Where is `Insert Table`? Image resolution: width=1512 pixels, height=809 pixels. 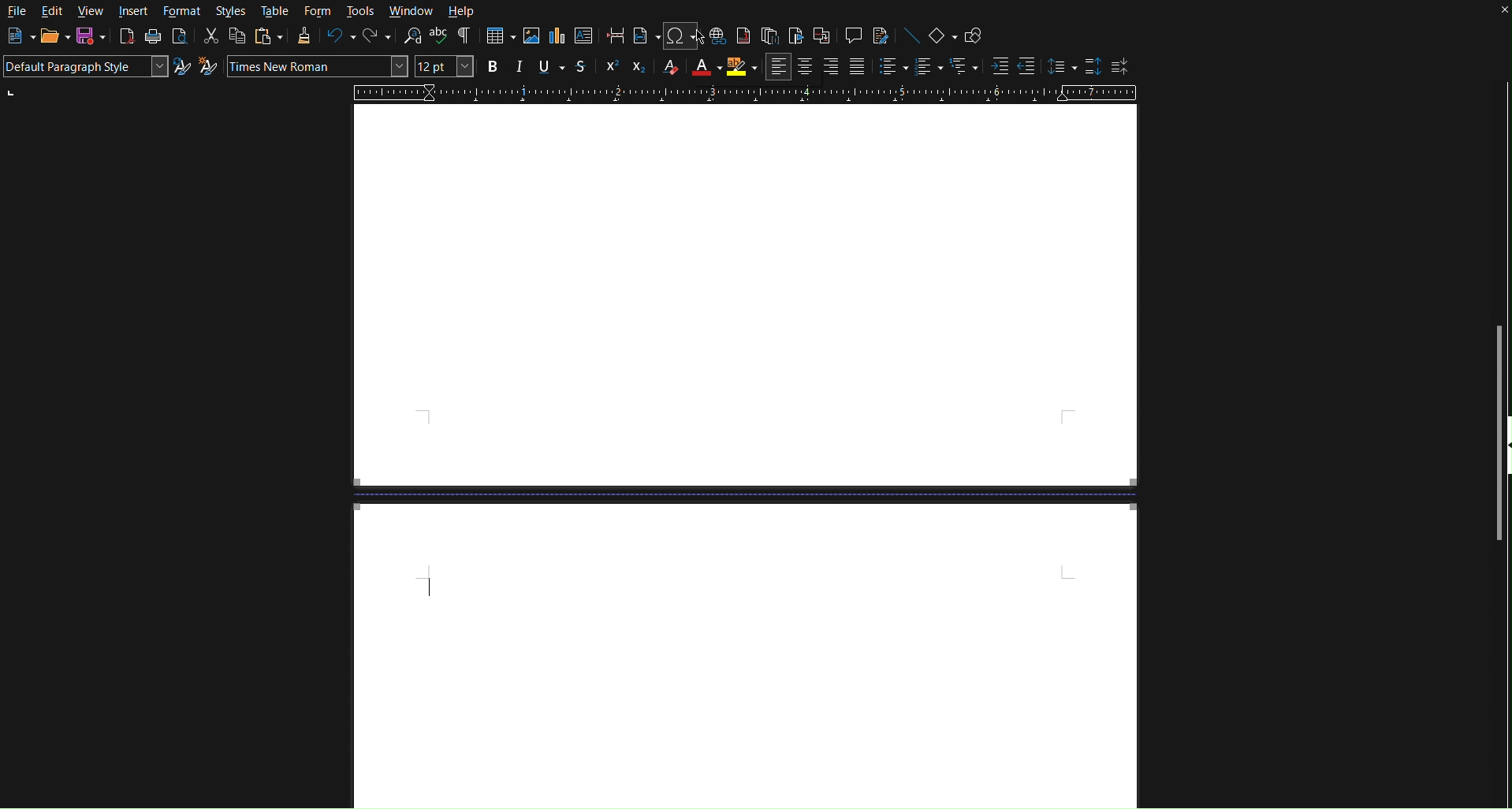
Insert Table is located at coordinates (499, 37).